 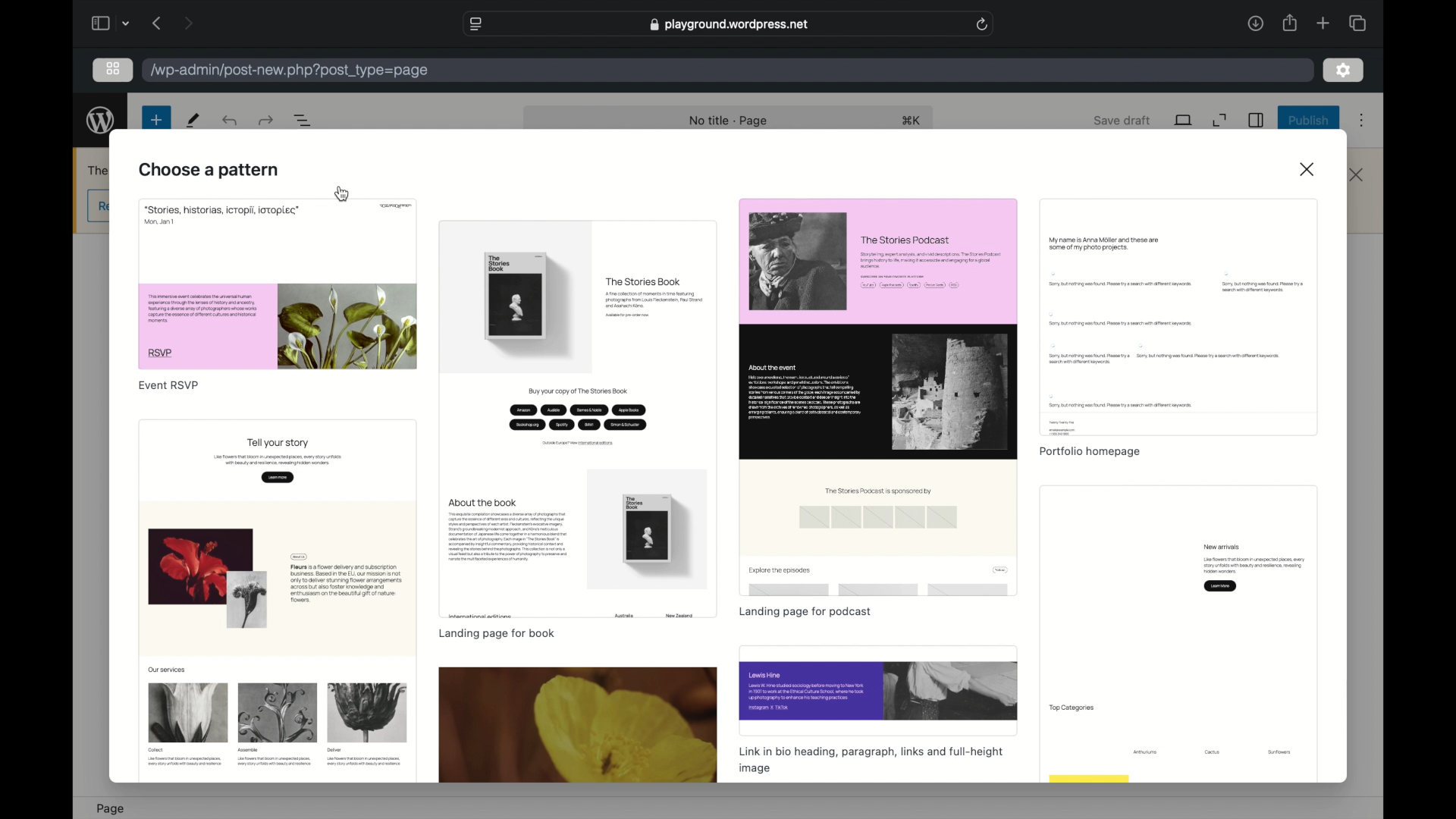 What do you see at coordinates (1343, 70) in the screenshot?
I see `settings` at bounding box center [1343, 70].